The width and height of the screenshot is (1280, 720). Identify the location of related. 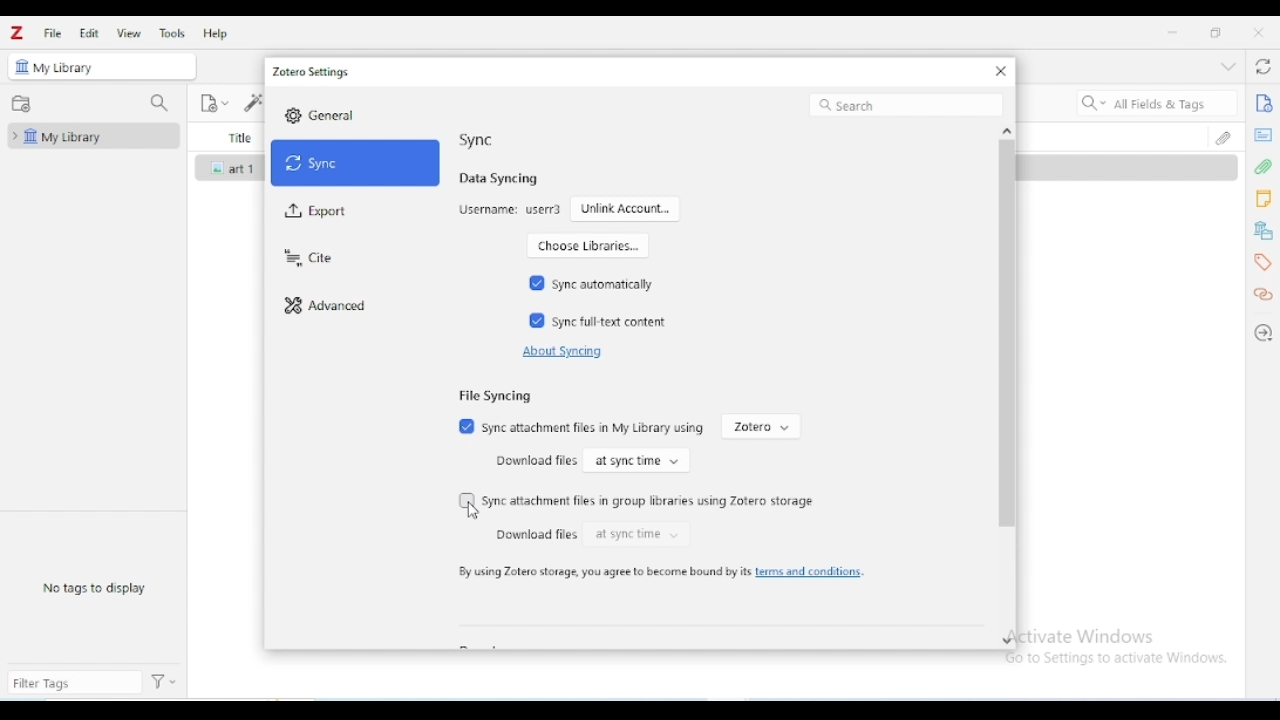
(1263, 295).